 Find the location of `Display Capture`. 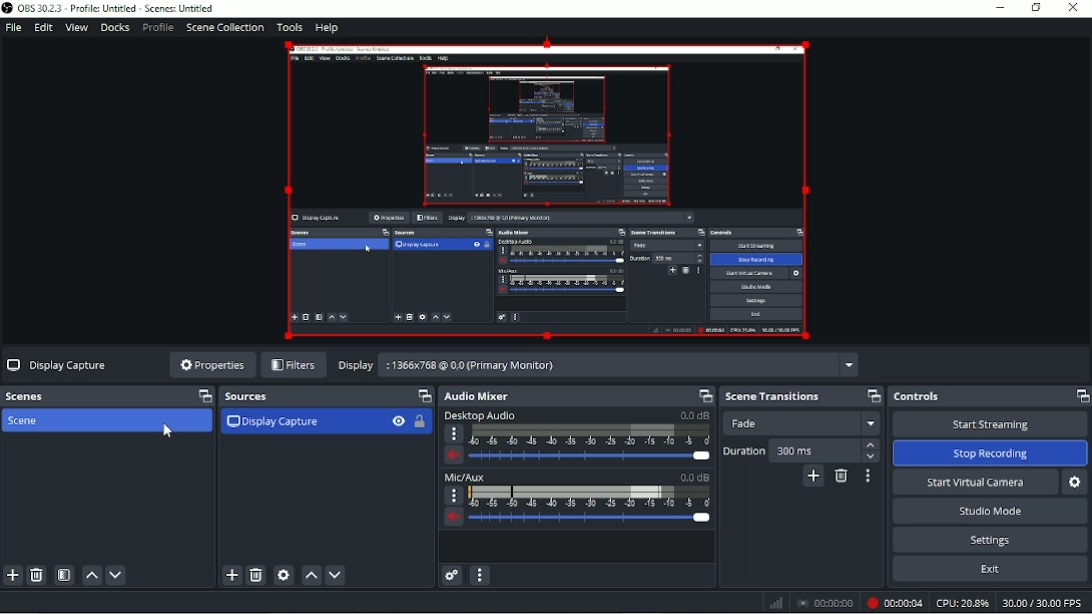

Display Capture is located at coordinates (58, 364).